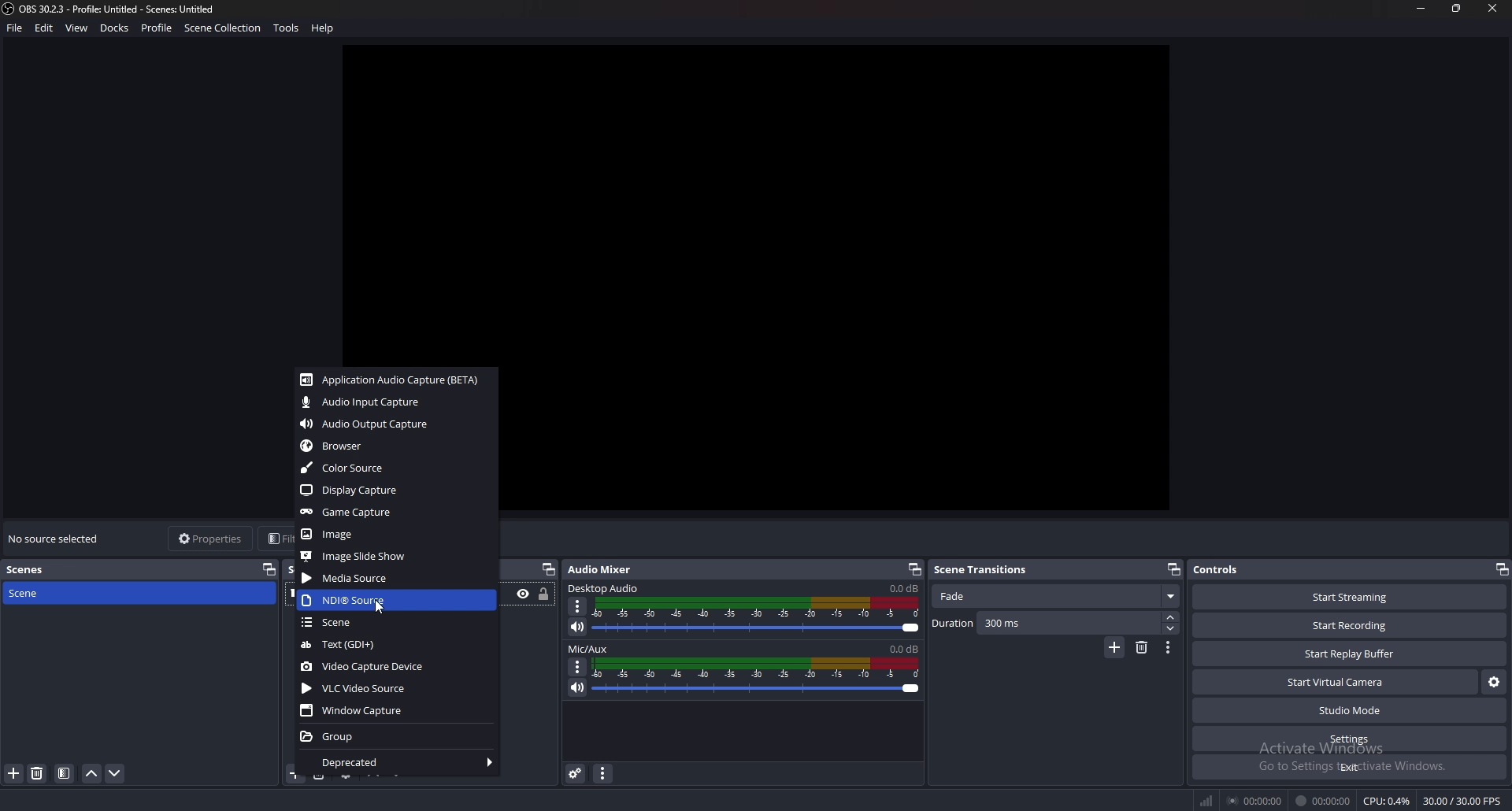 The height and width of the screenshot is (811, 1512). What do you see at coordinates (1349, 710) in the screenshot?
I see `studio mode` at bounding box center [1349, 710].